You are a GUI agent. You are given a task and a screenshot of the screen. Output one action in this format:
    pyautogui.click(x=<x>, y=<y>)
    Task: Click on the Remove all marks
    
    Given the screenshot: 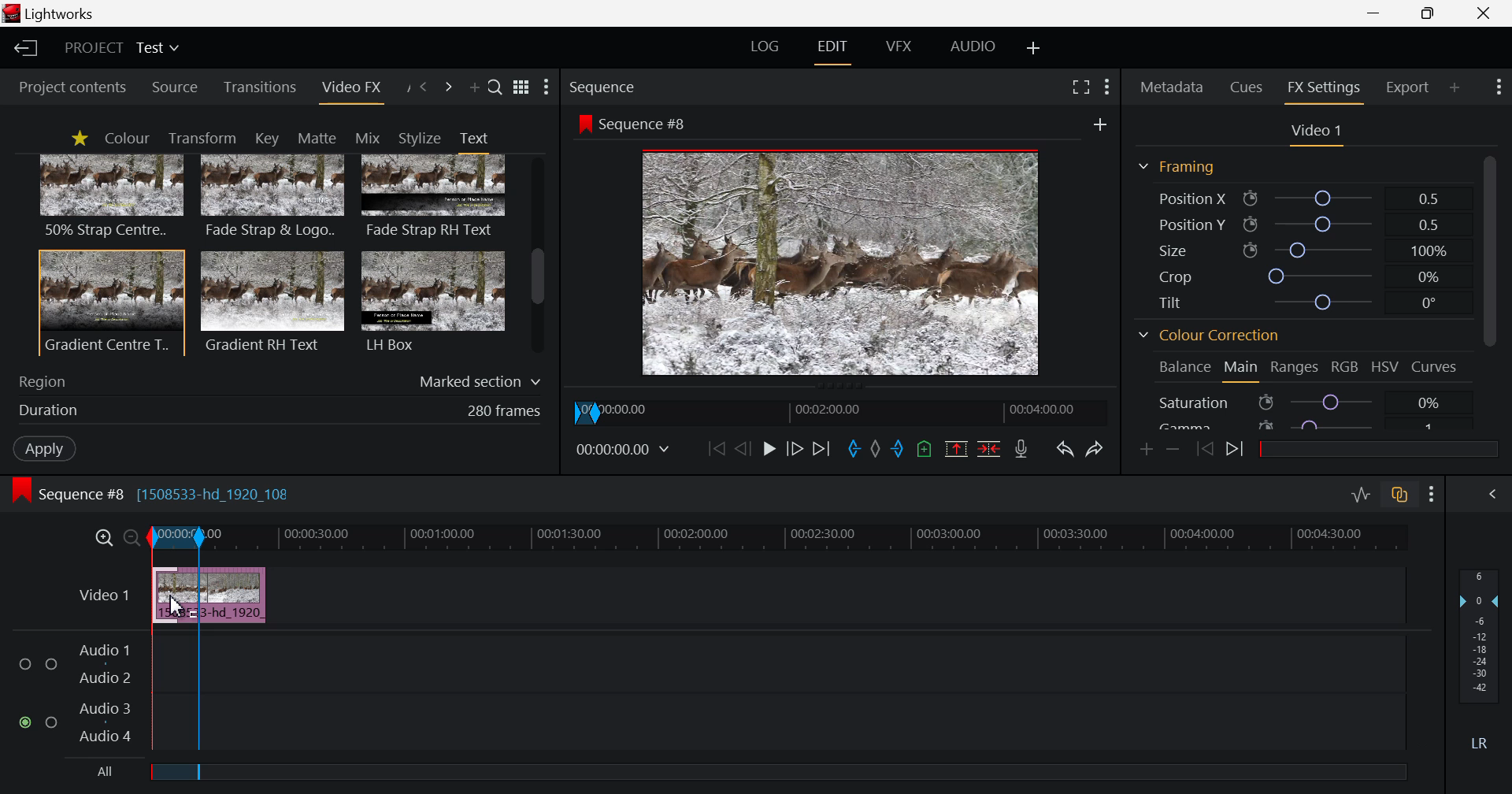 What is the action you would take?
    pyautogui.click(x=874, y=450)
    